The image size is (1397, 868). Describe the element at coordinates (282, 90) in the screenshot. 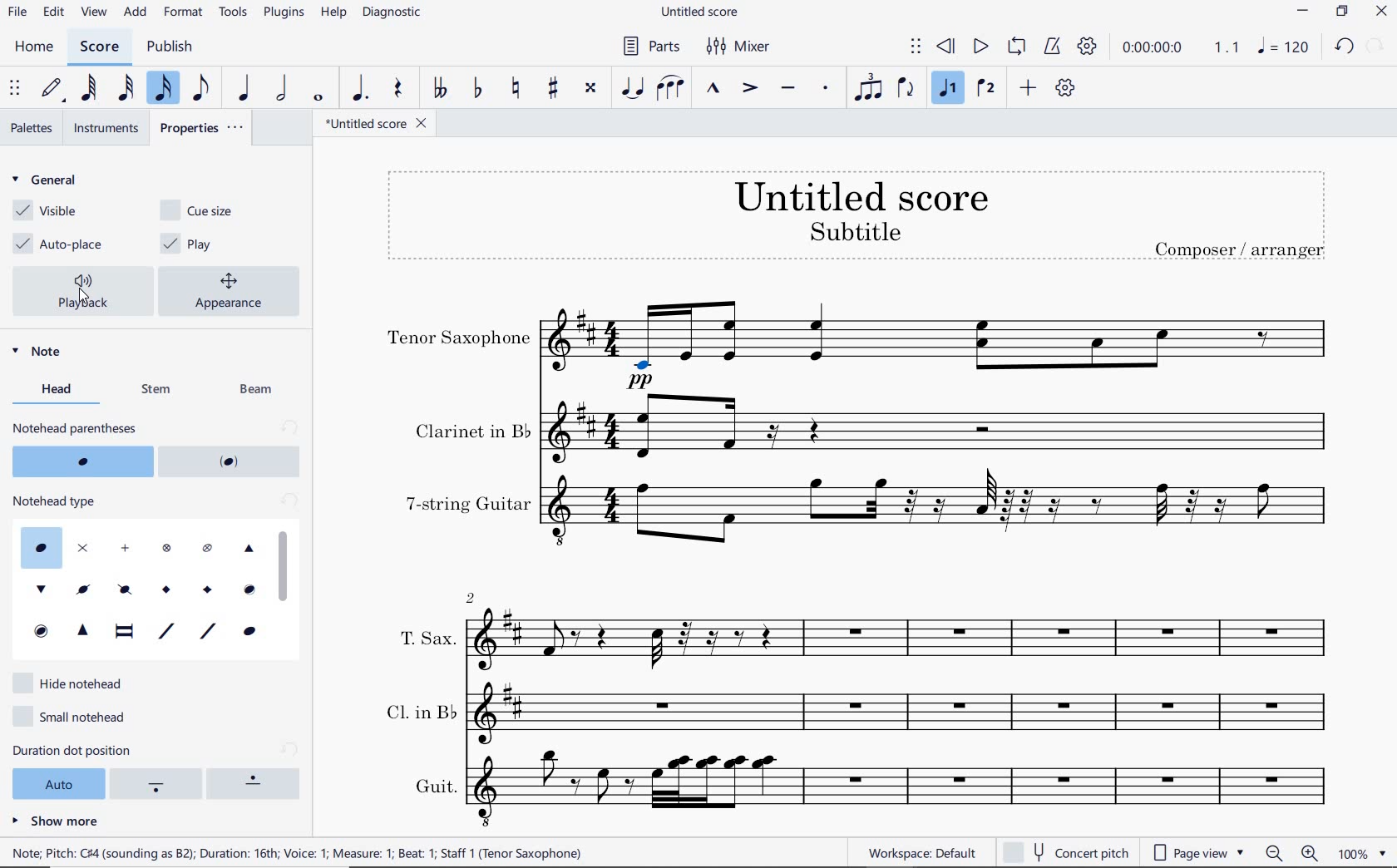

I see `HALF NOTE` at that location.